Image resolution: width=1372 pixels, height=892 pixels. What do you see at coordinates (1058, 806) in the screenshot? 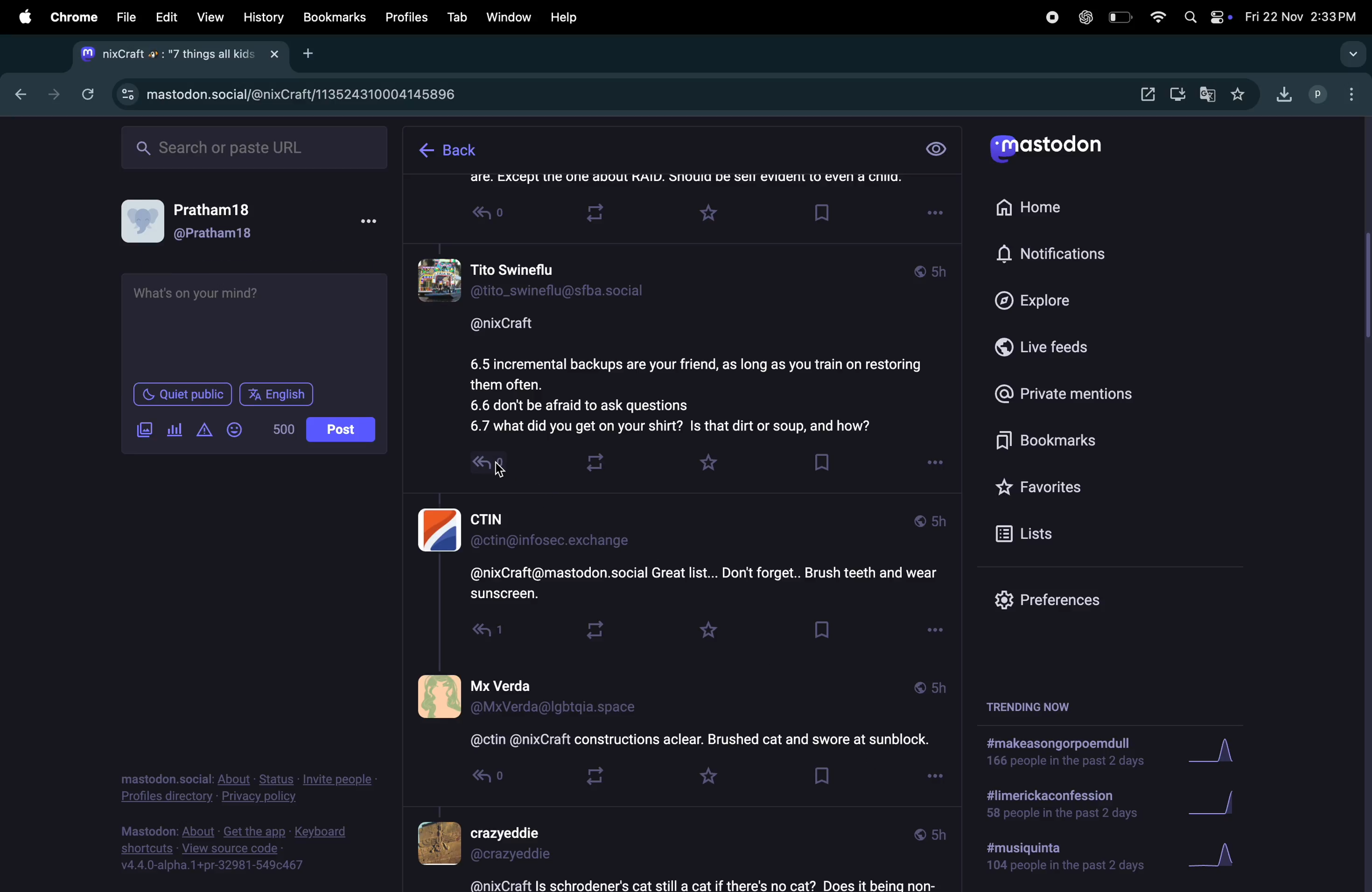
I see `#limerickaconfession
58 people in the past 2 days` at bounding box center [1058, 806].